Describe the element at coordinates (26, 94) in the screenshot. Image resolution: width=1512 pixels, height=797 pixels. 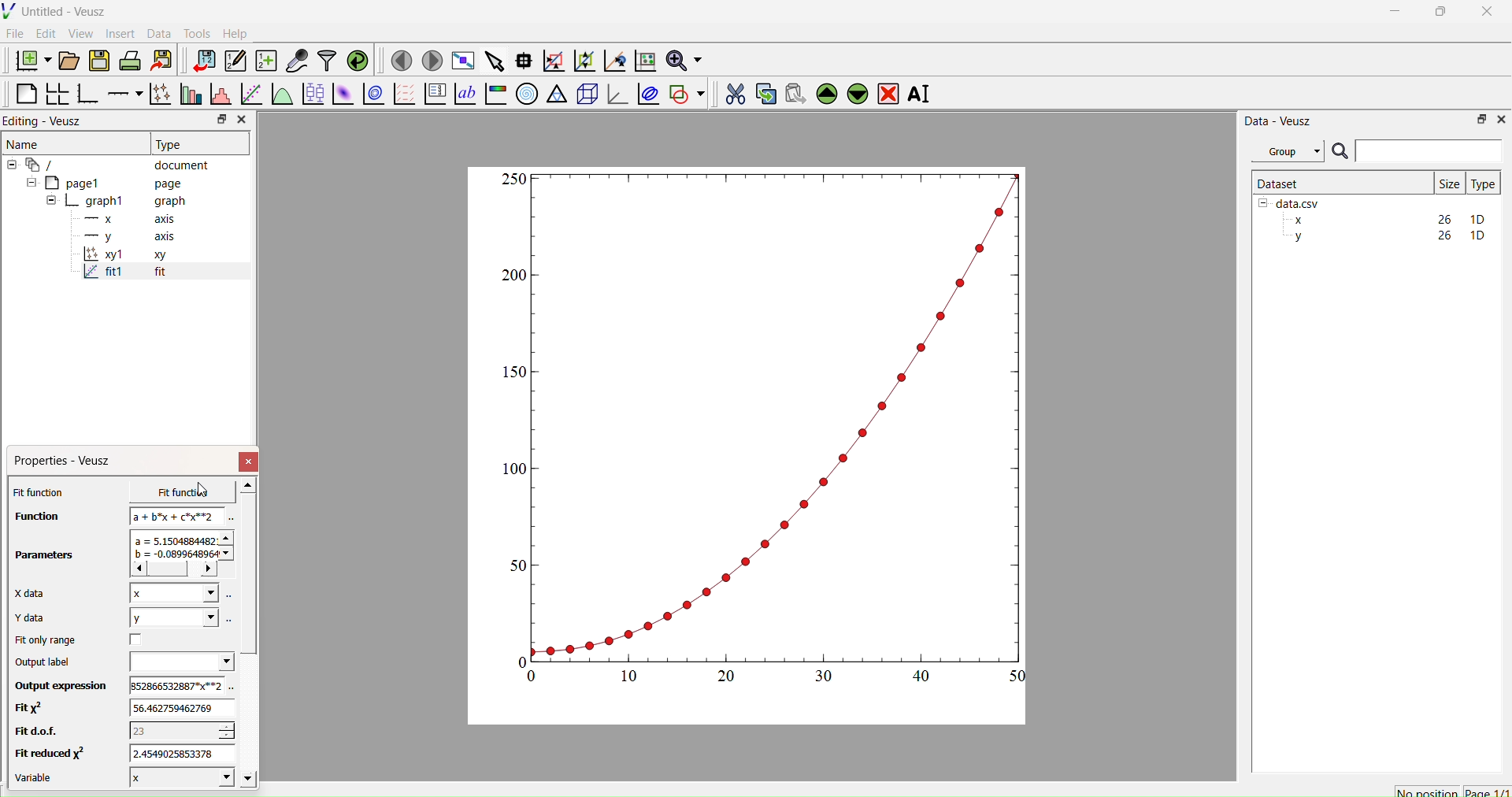
I see `Blank Page` at that location.